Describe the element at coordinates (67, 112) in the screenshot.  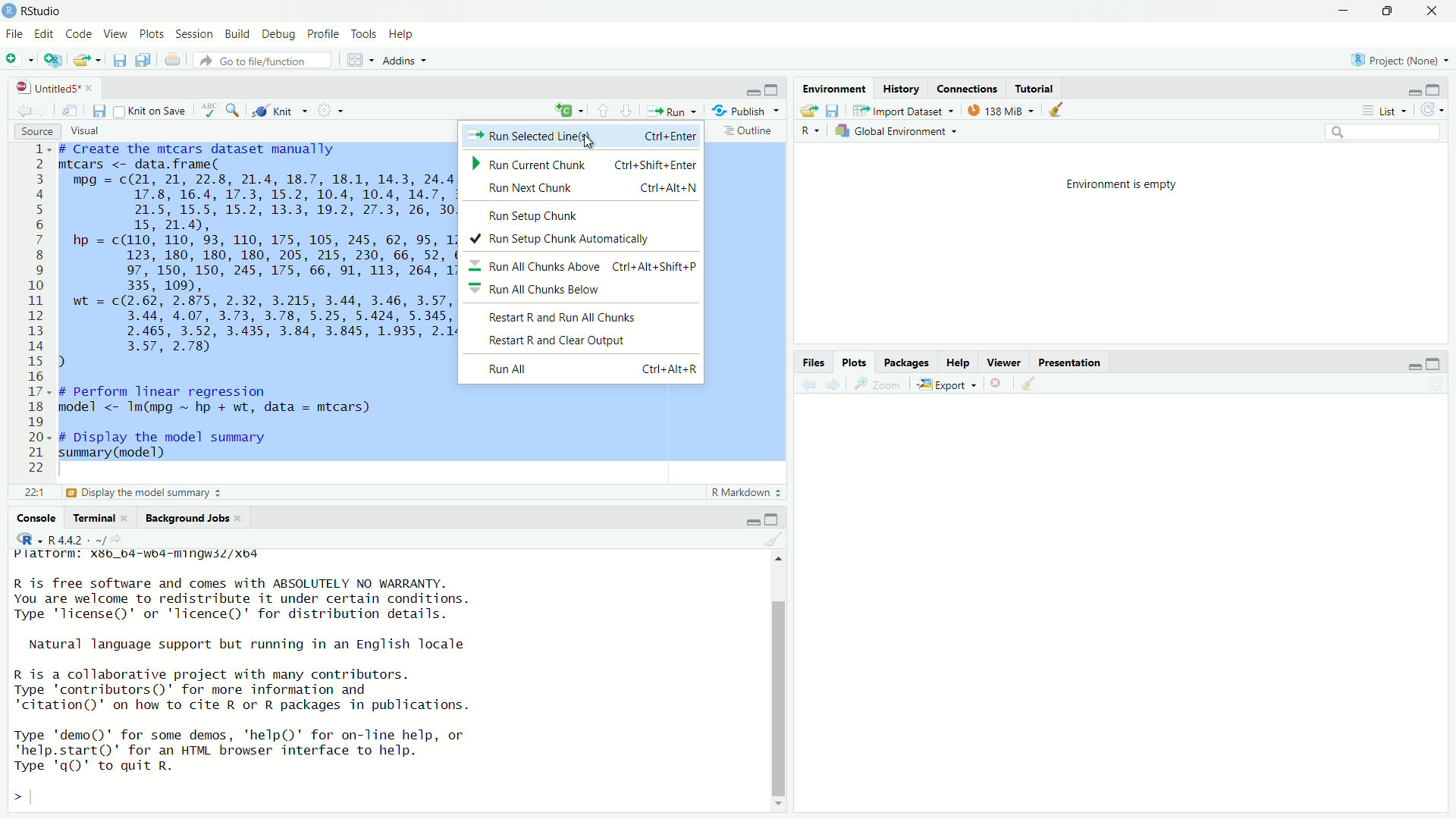
I see `show in new window` at that location.